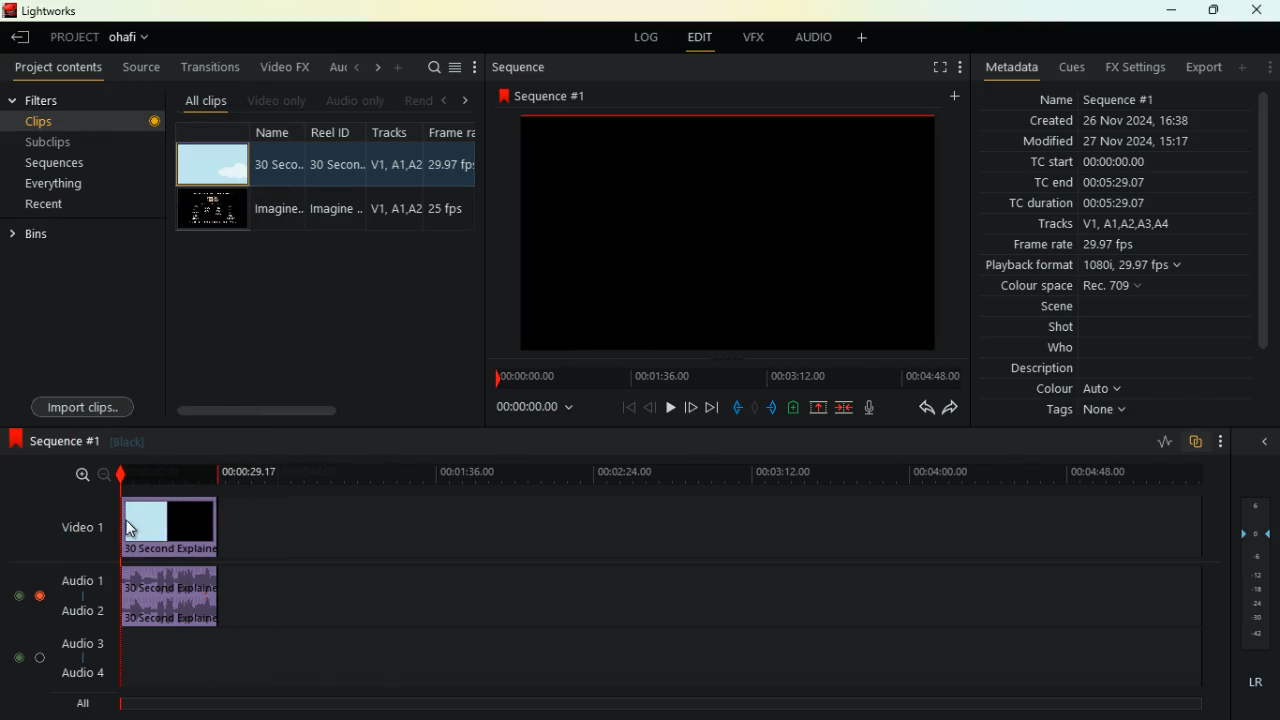 The image size is (1280, 720). I want to click on add, so click(869, 40).